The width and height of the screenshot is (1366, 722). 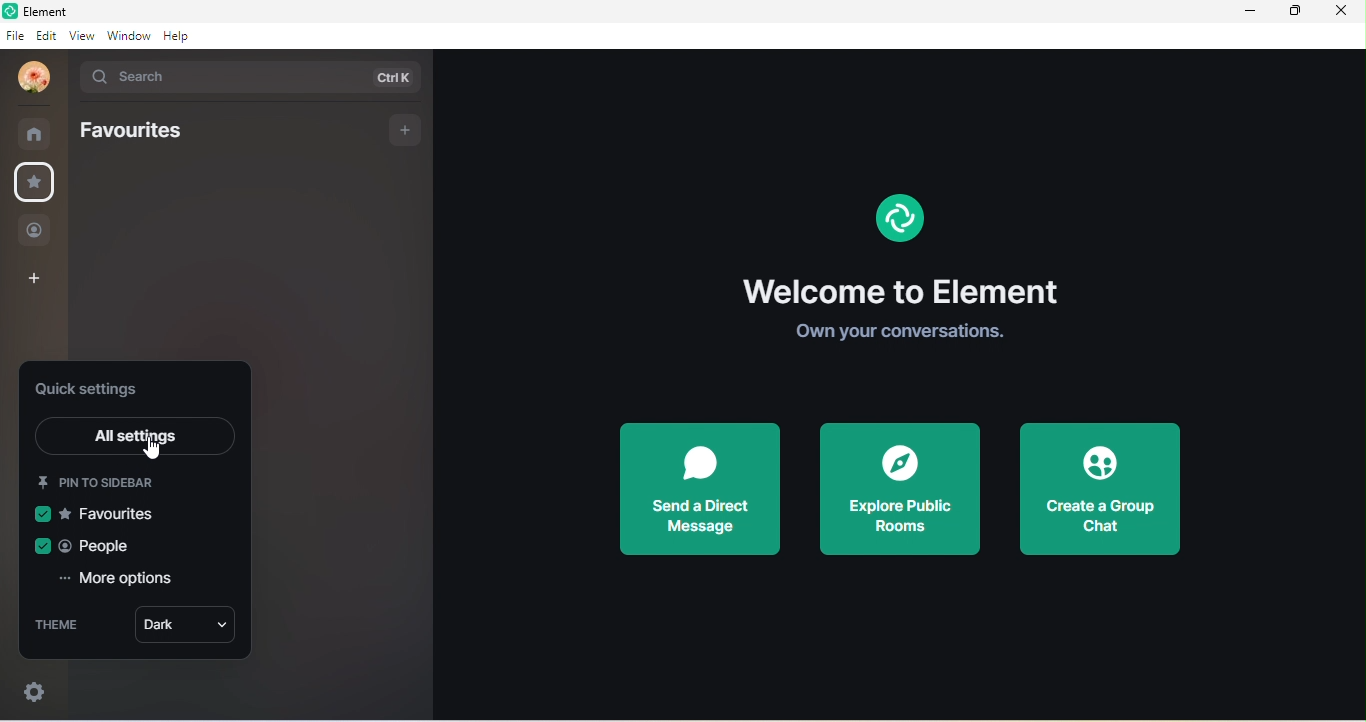 I want to click on add space, so click(x=35, y=282).